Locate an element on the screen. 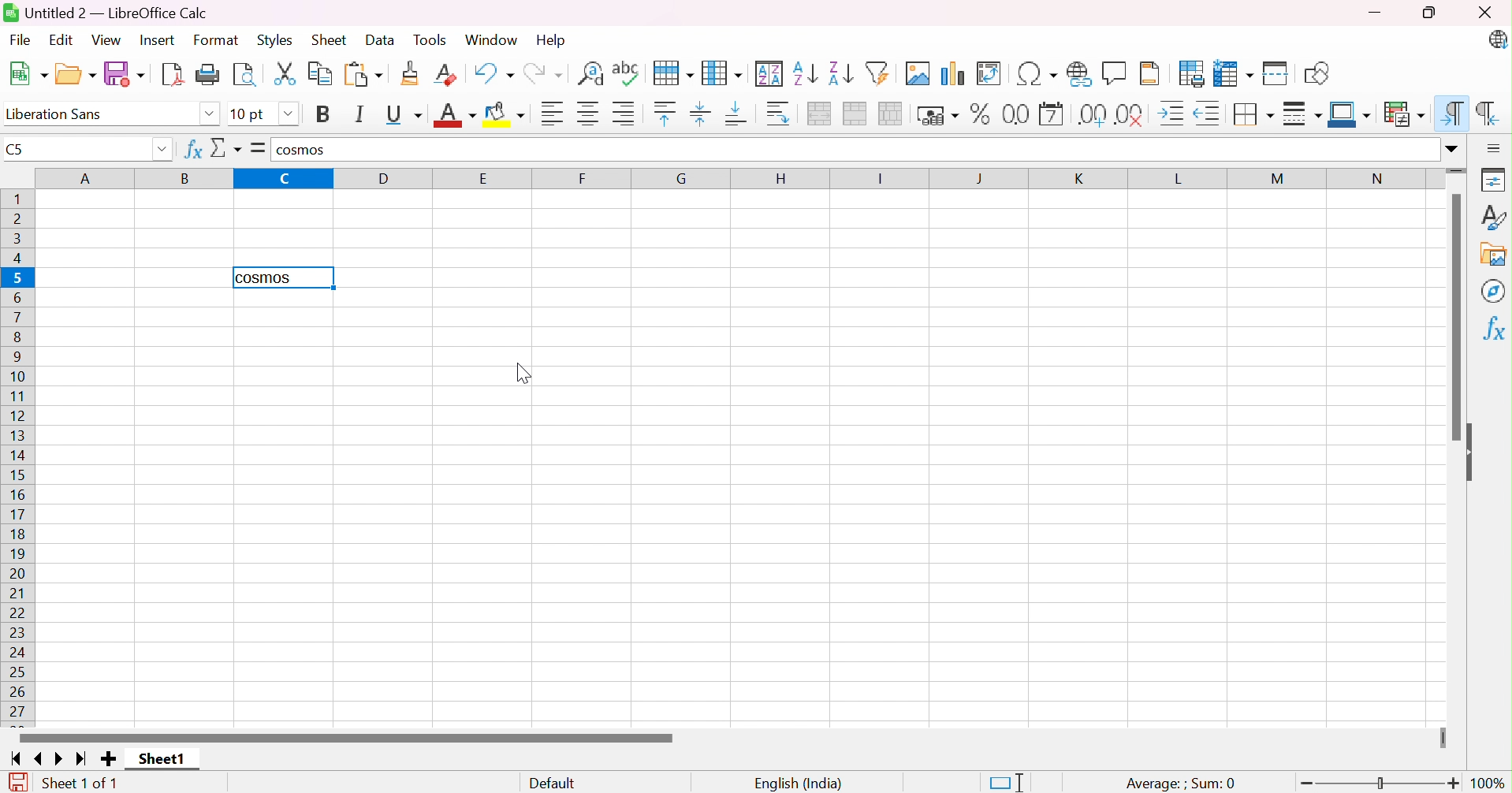  Cut is located at coordinates (284, 76).